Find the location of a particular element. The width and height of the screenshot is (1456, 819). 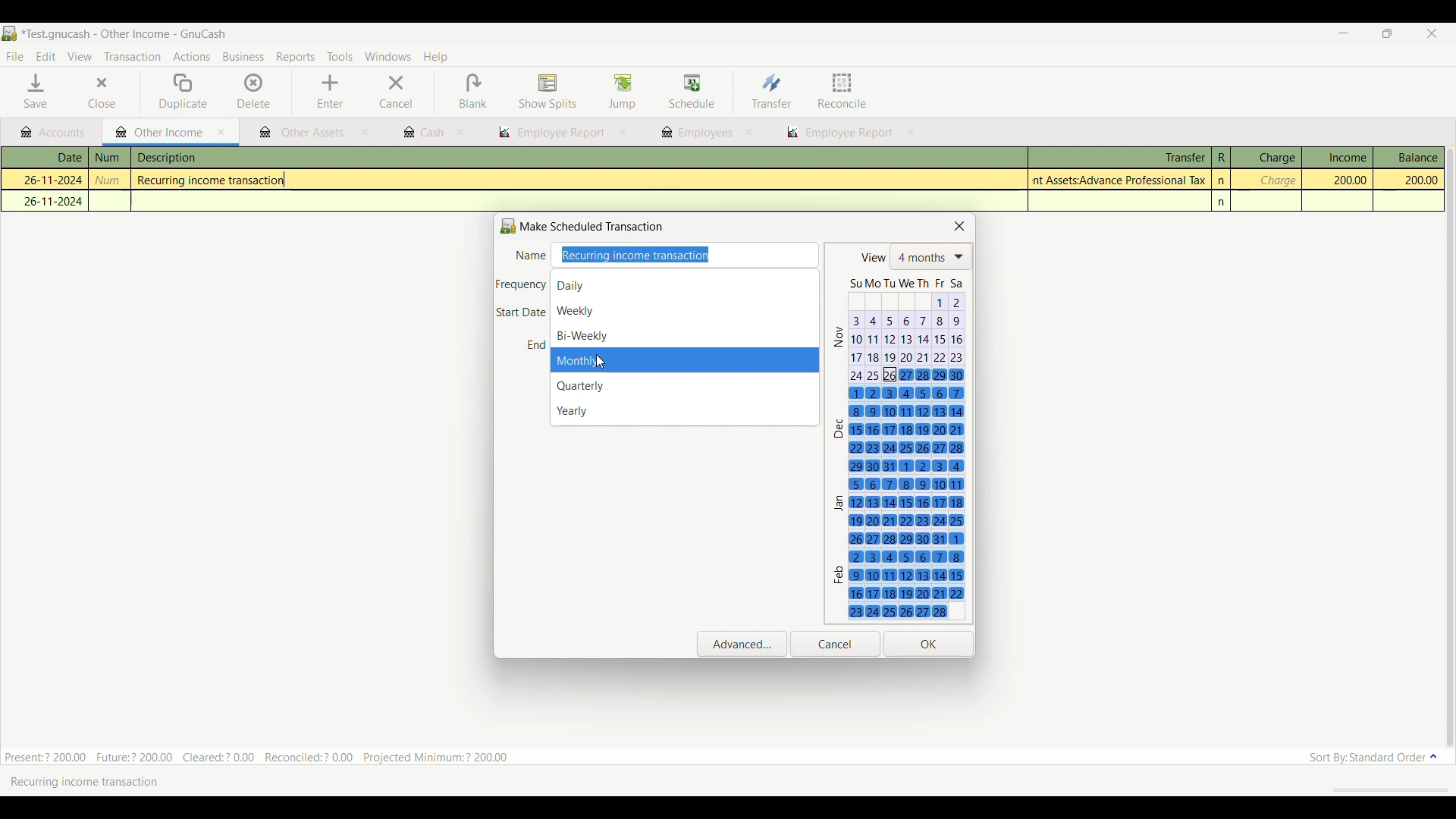

Weekly is located at coordinates (682, 312).